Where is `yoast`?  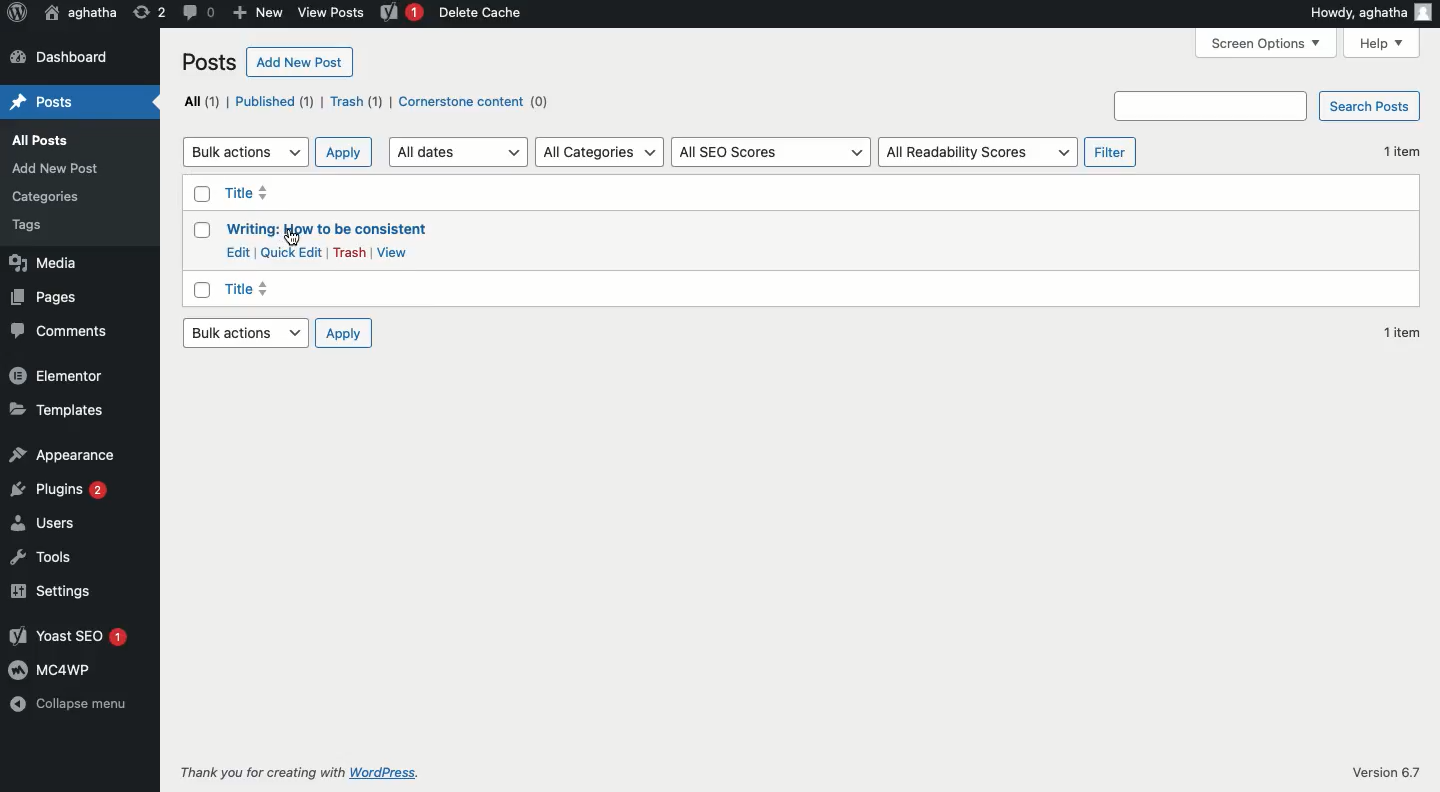 yoast is located at coordinates (400, 15).